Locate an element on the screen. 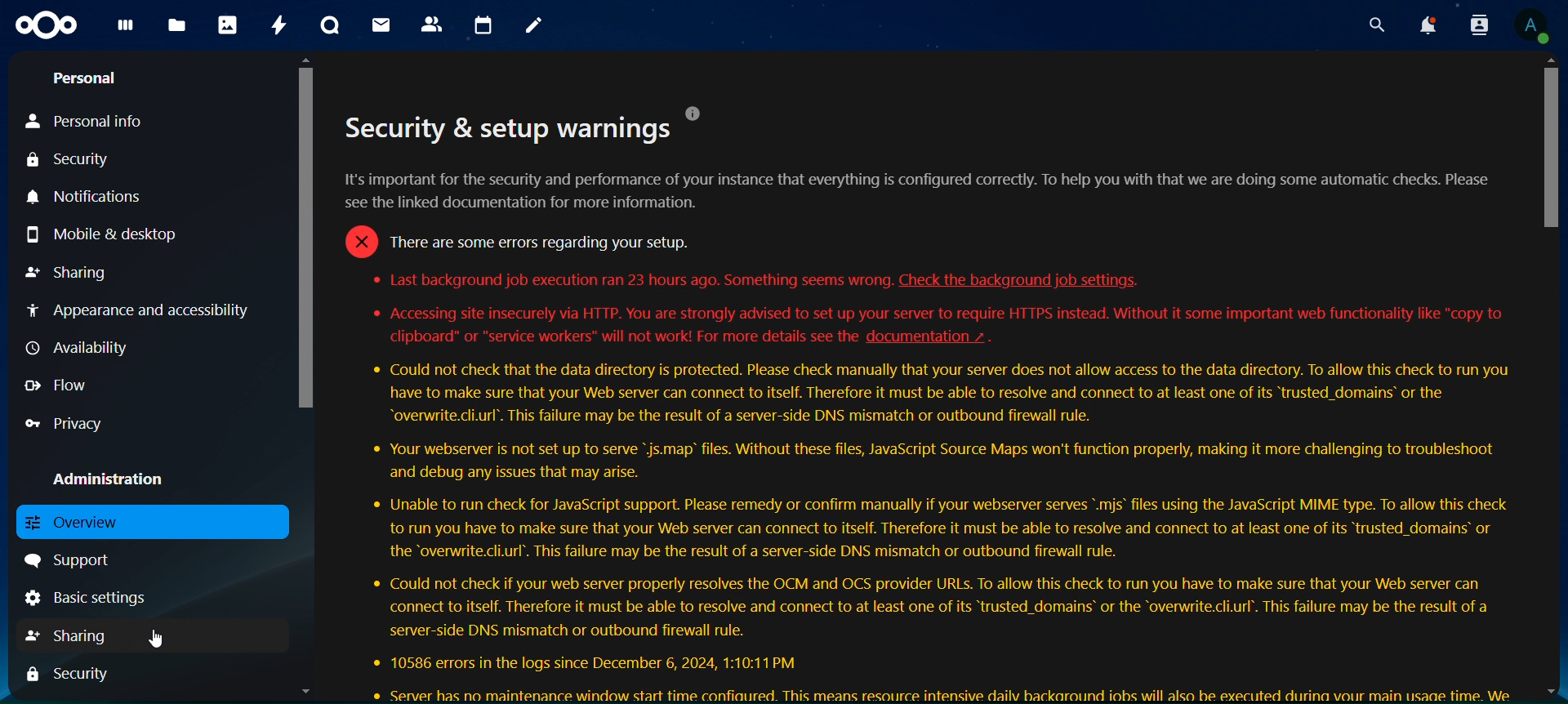 This screenshot has width=1568, height=704. calendar is located at coordinates (483, 25).